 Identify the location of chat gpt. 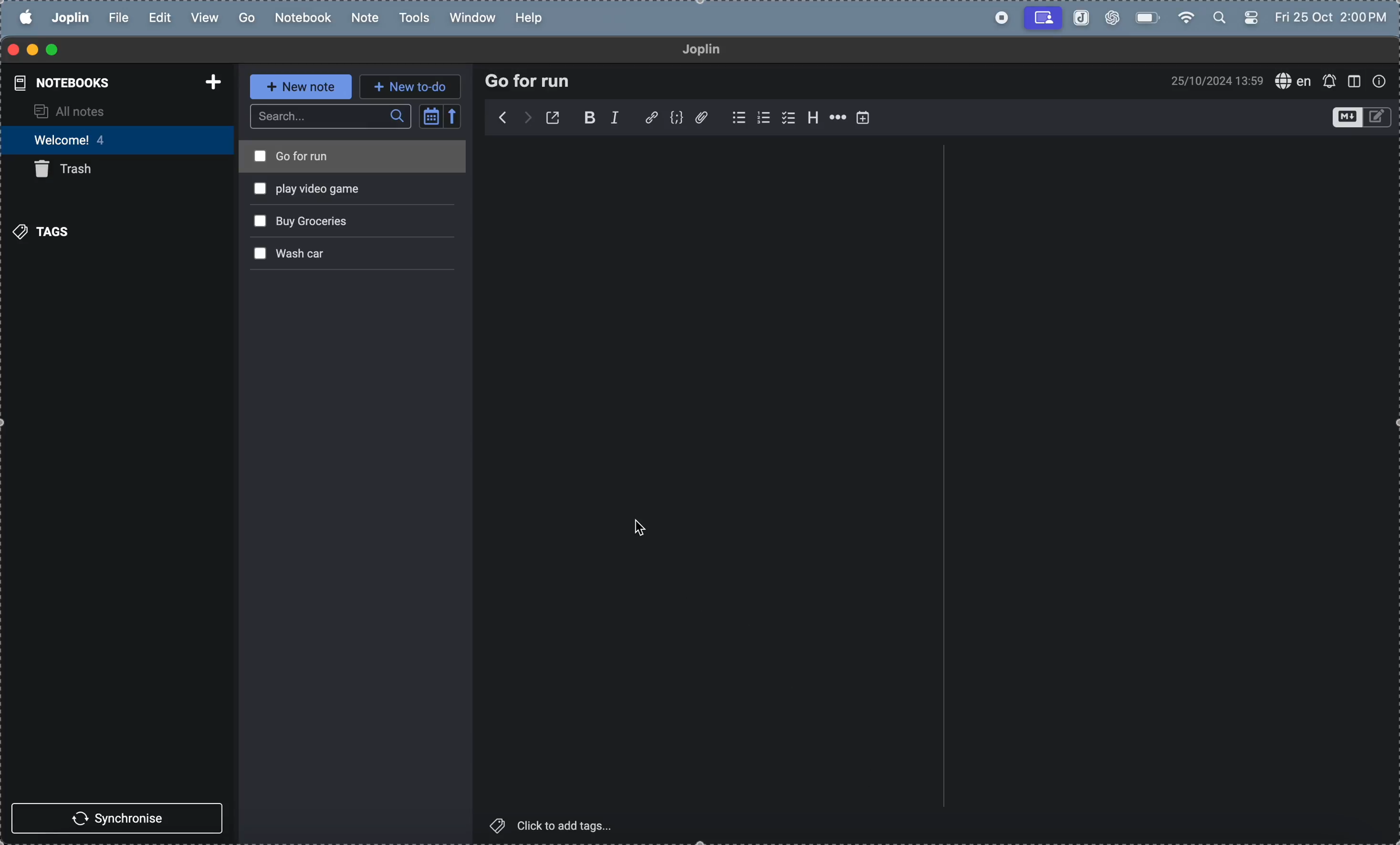
(1114, 16).